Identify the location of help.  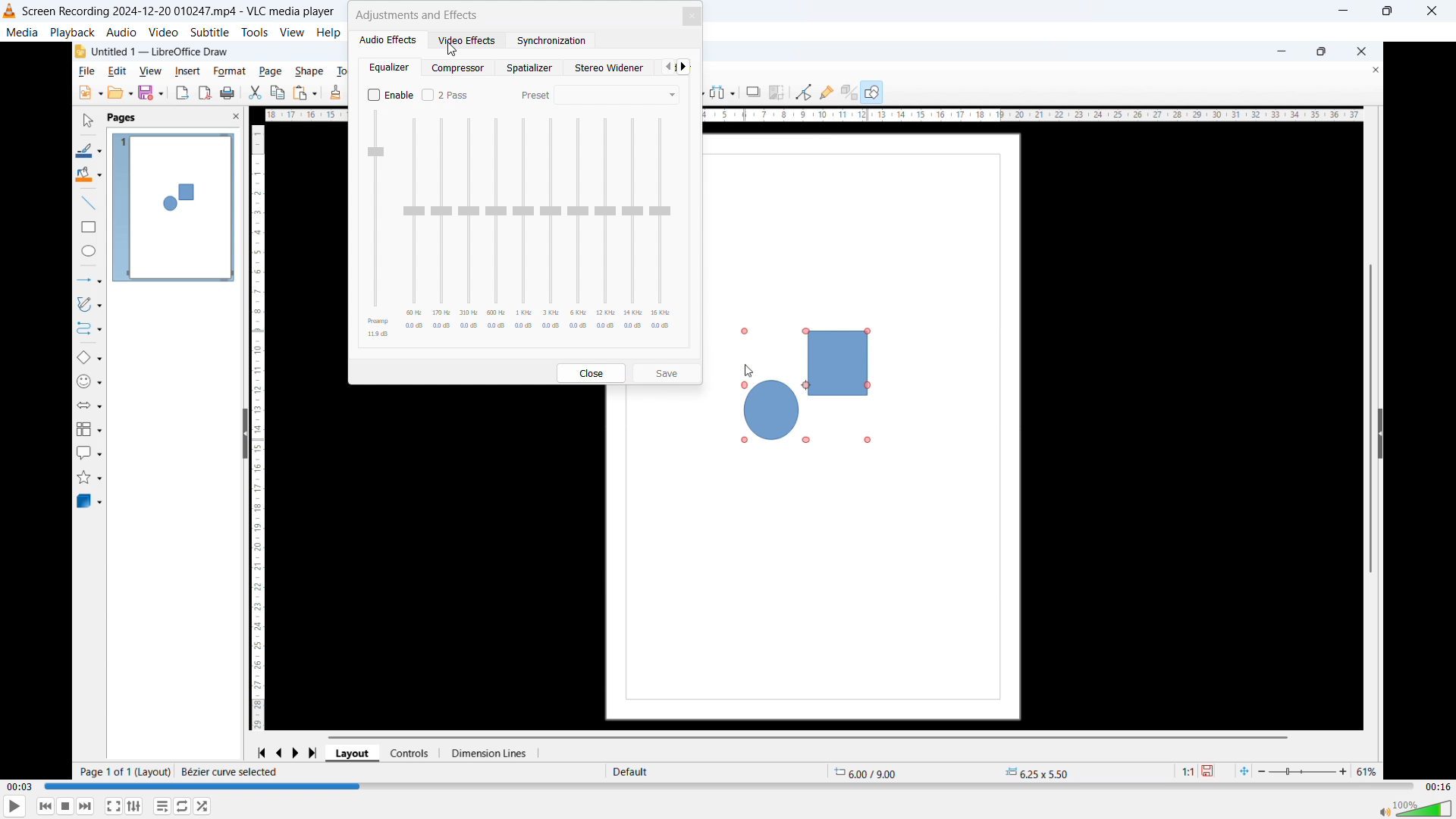
(328, 33).